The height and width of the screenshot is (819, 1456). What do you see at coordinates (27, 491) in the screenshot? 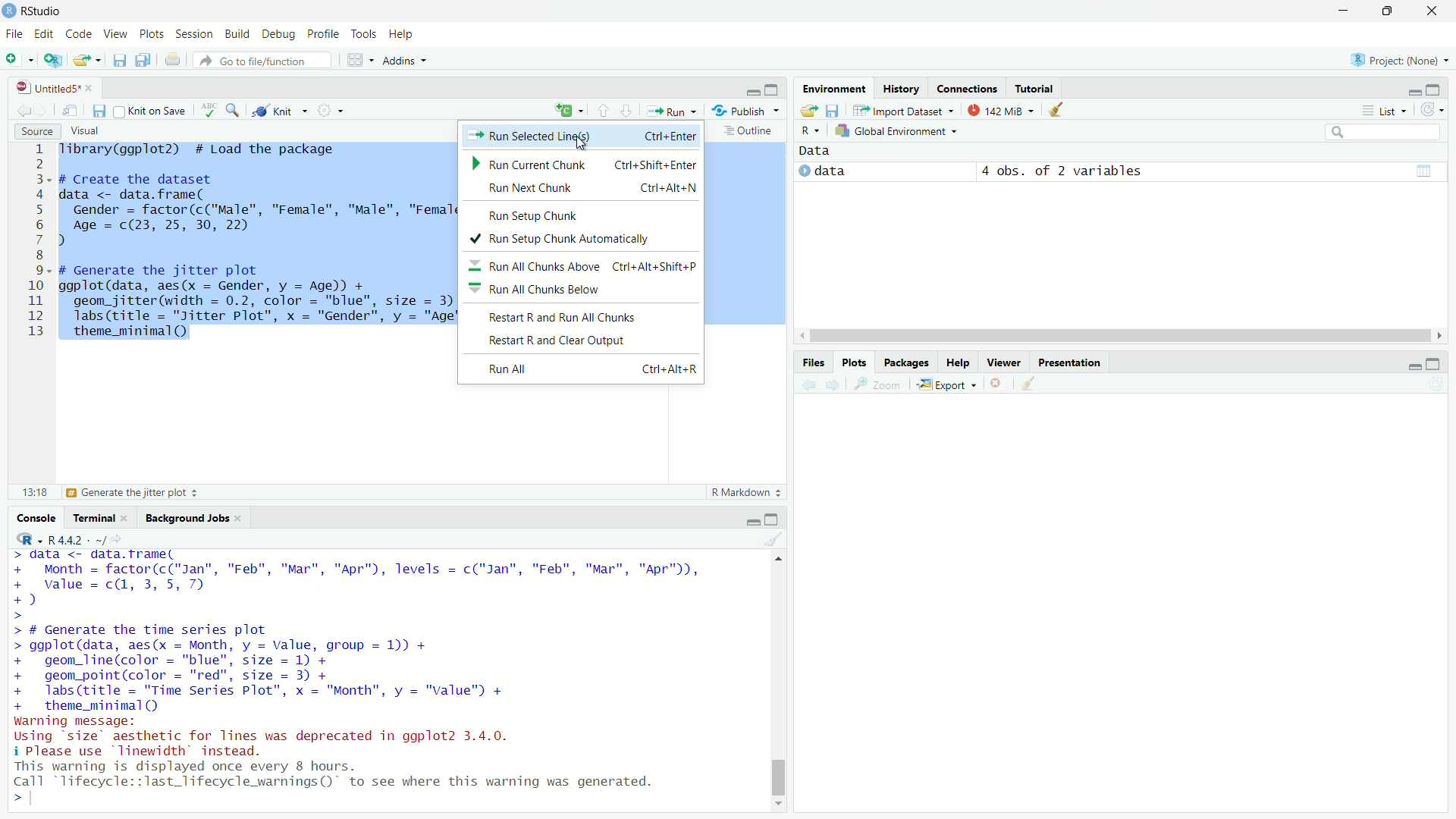
I see `13:18` at bounding box center [27, 491].